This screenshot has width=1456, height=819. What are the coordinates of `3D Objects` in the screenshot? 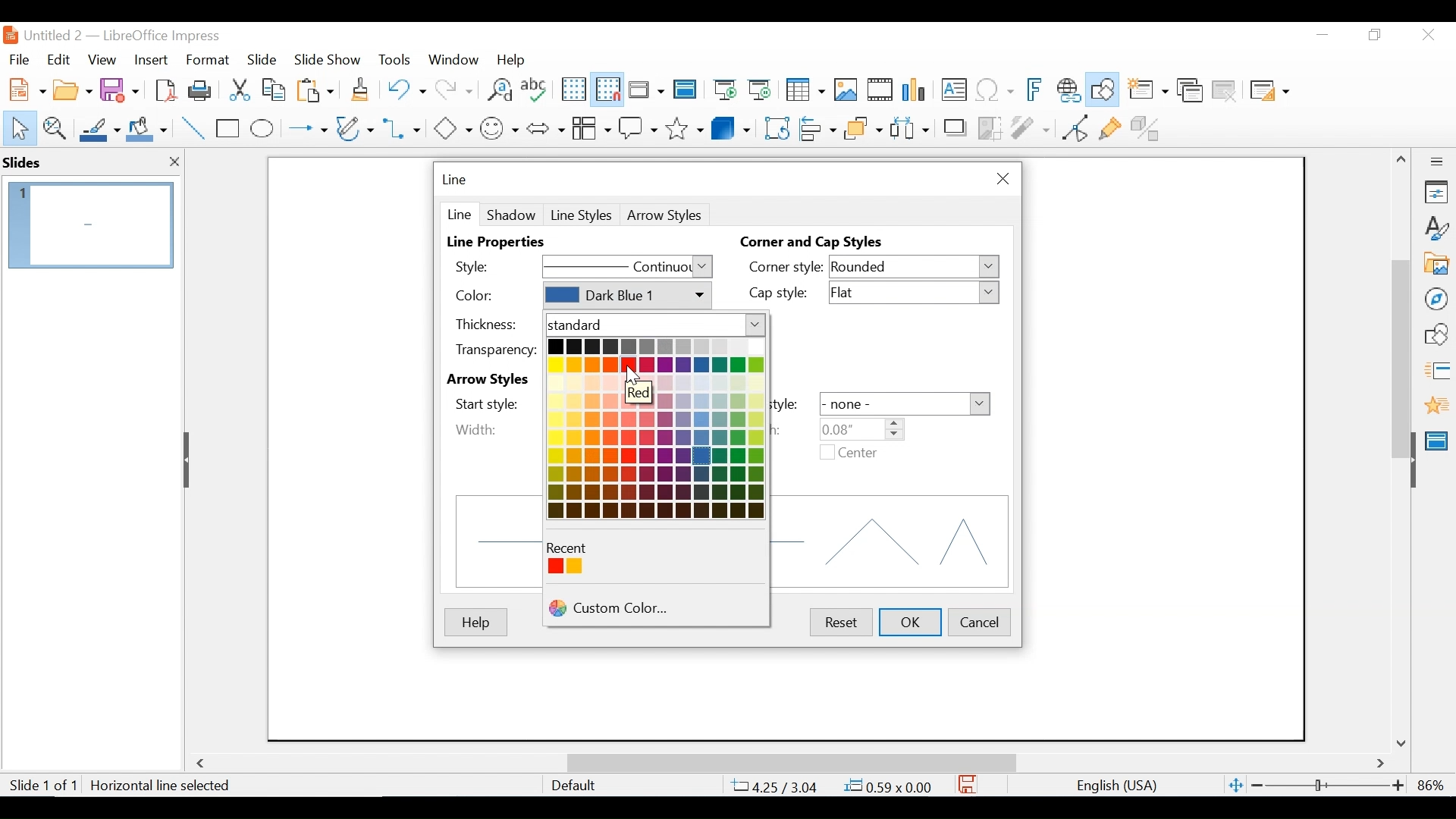 It's located at (731, 127).